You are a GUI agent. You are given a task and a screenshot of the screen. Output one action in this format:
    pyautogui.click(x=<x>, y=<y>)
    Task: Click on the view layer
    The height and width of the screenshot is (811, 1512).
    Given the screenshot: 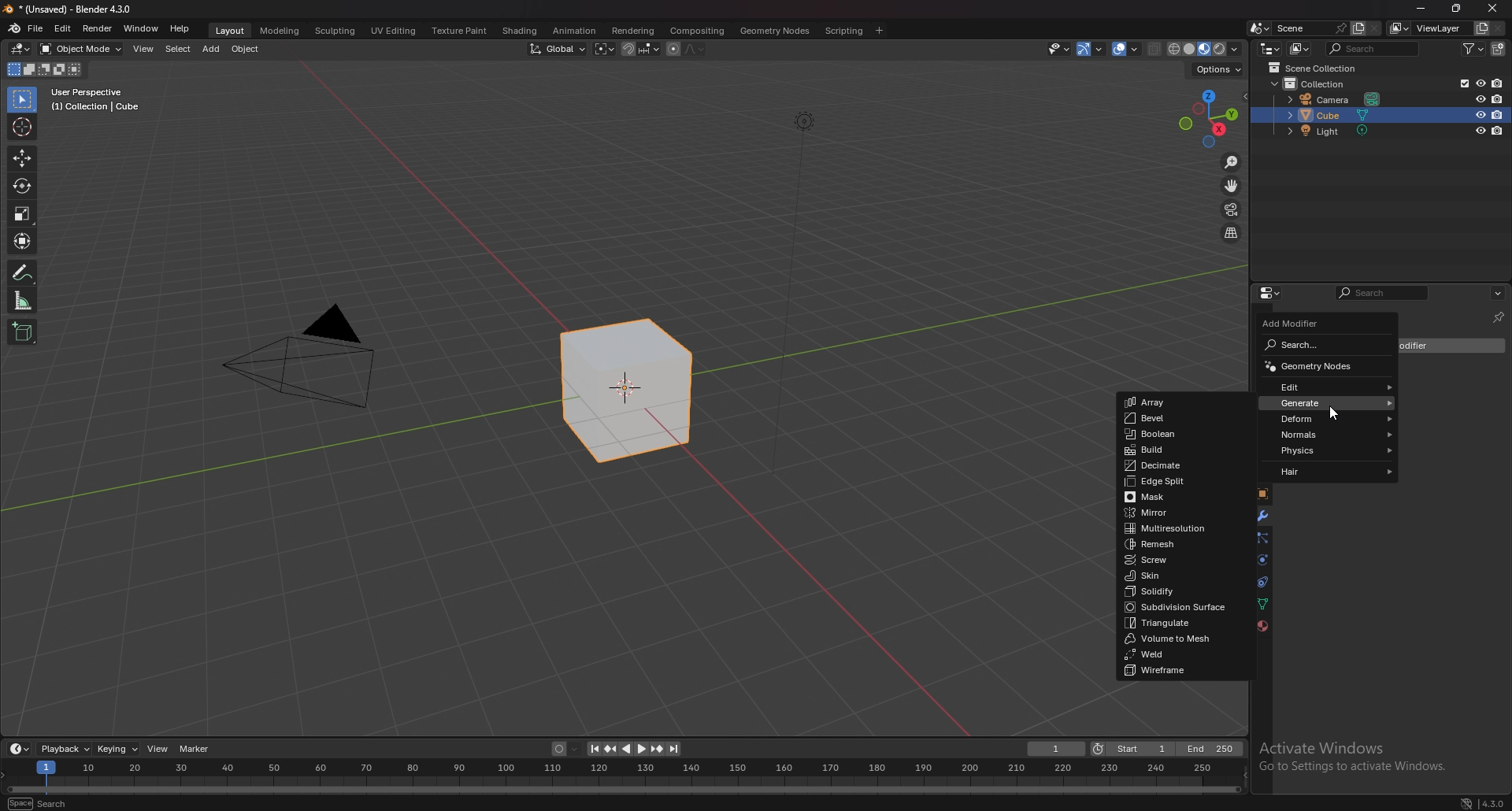 What is the action you would take?
    pyautogui.click(x=1428, y=28)
    